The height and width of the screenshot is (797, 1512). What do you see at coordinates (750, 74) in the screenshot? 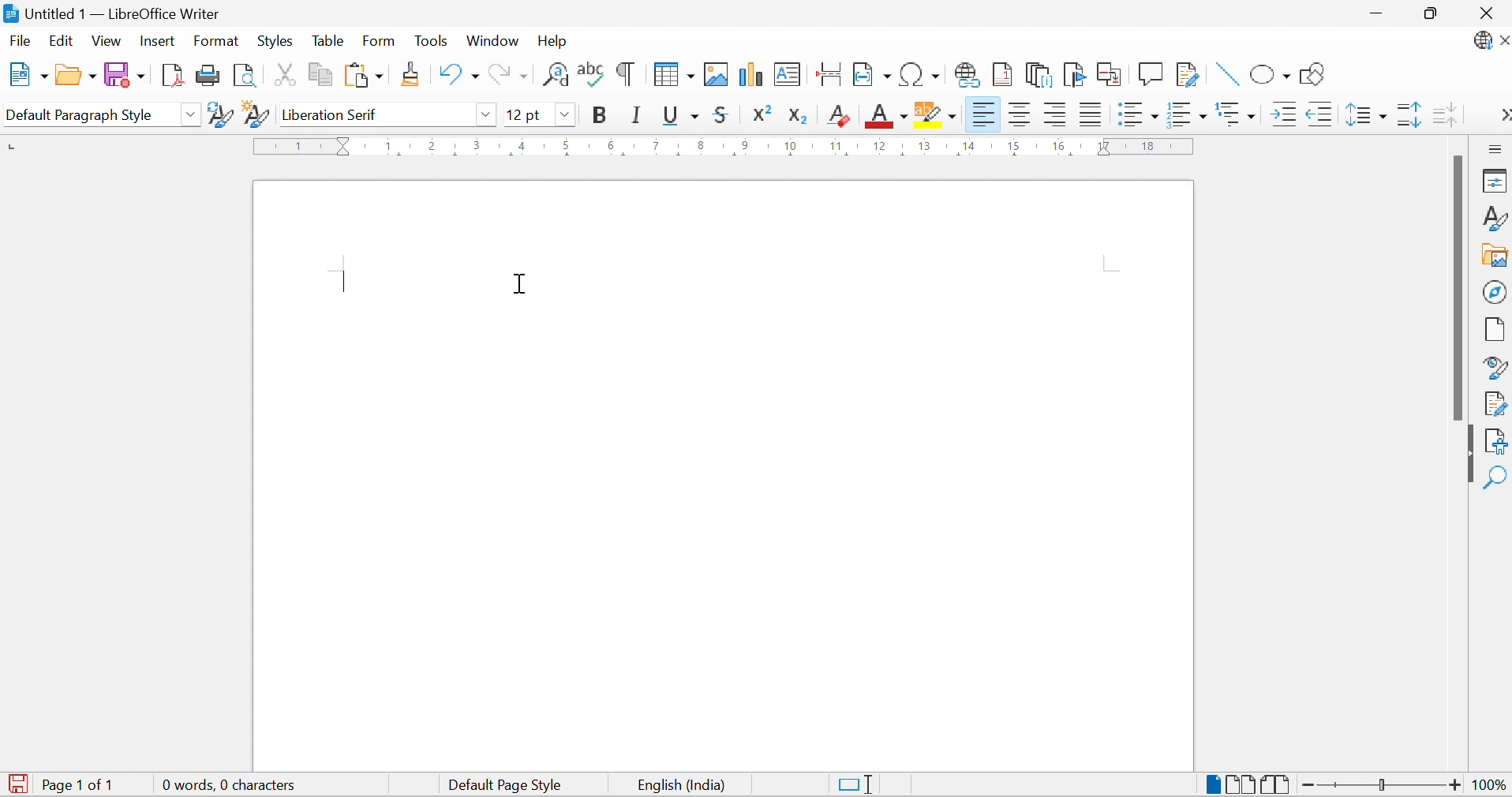
I see `Insert Chart` at bounding box center [750, 74].